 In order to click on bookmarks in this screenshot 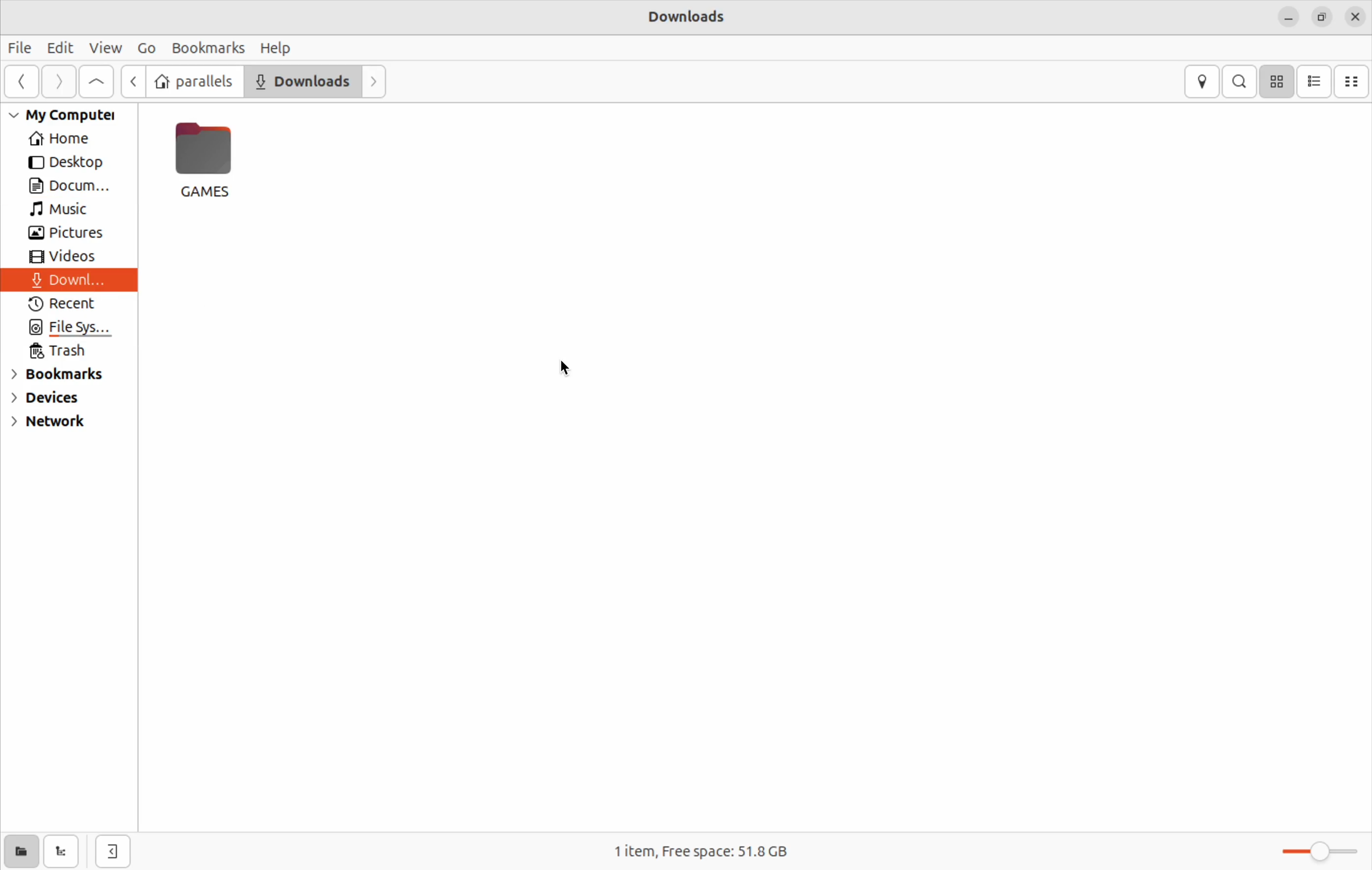, I will do `click(209, 46)`.